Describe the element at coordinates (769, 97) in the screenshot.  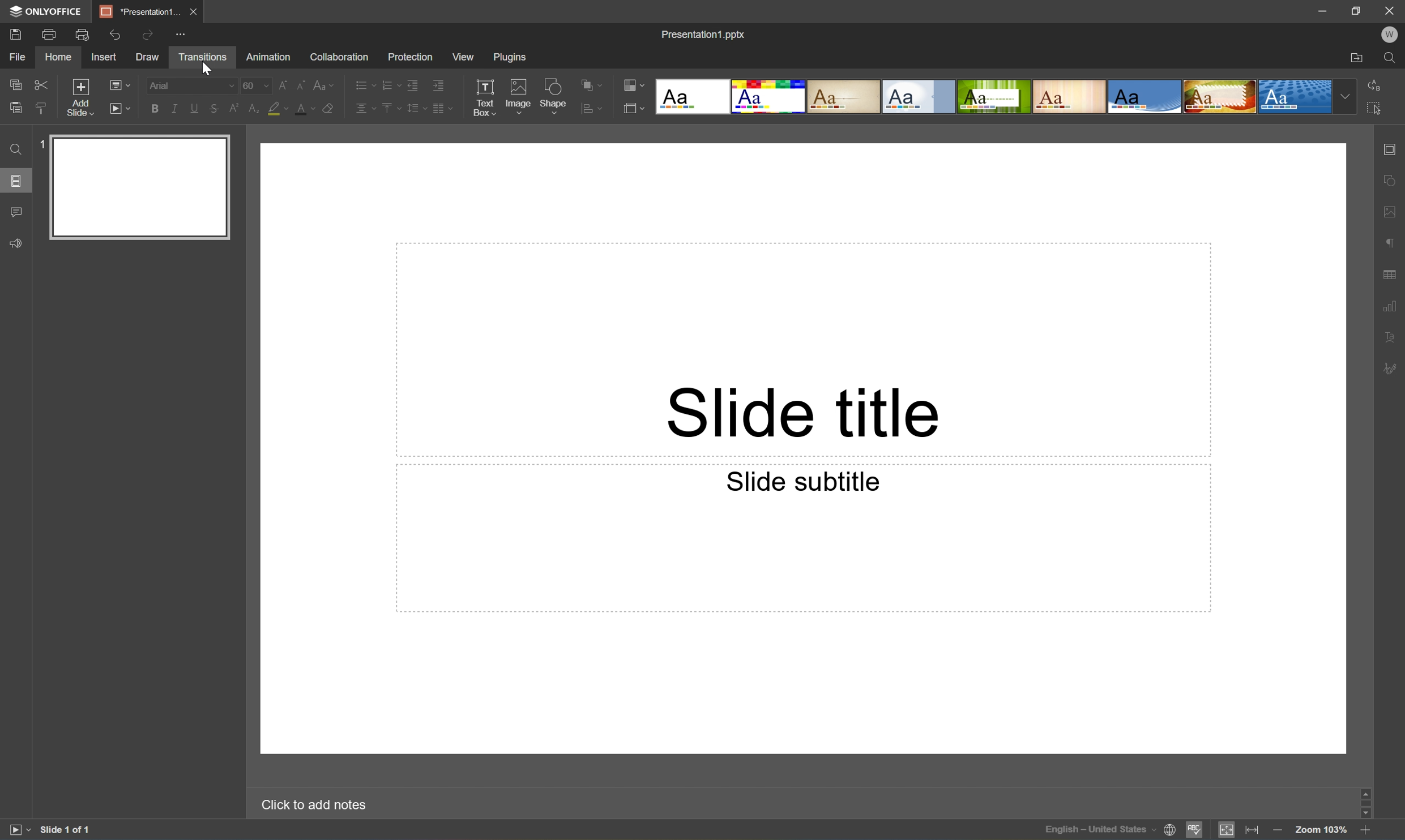
I see `Basic` at that location.